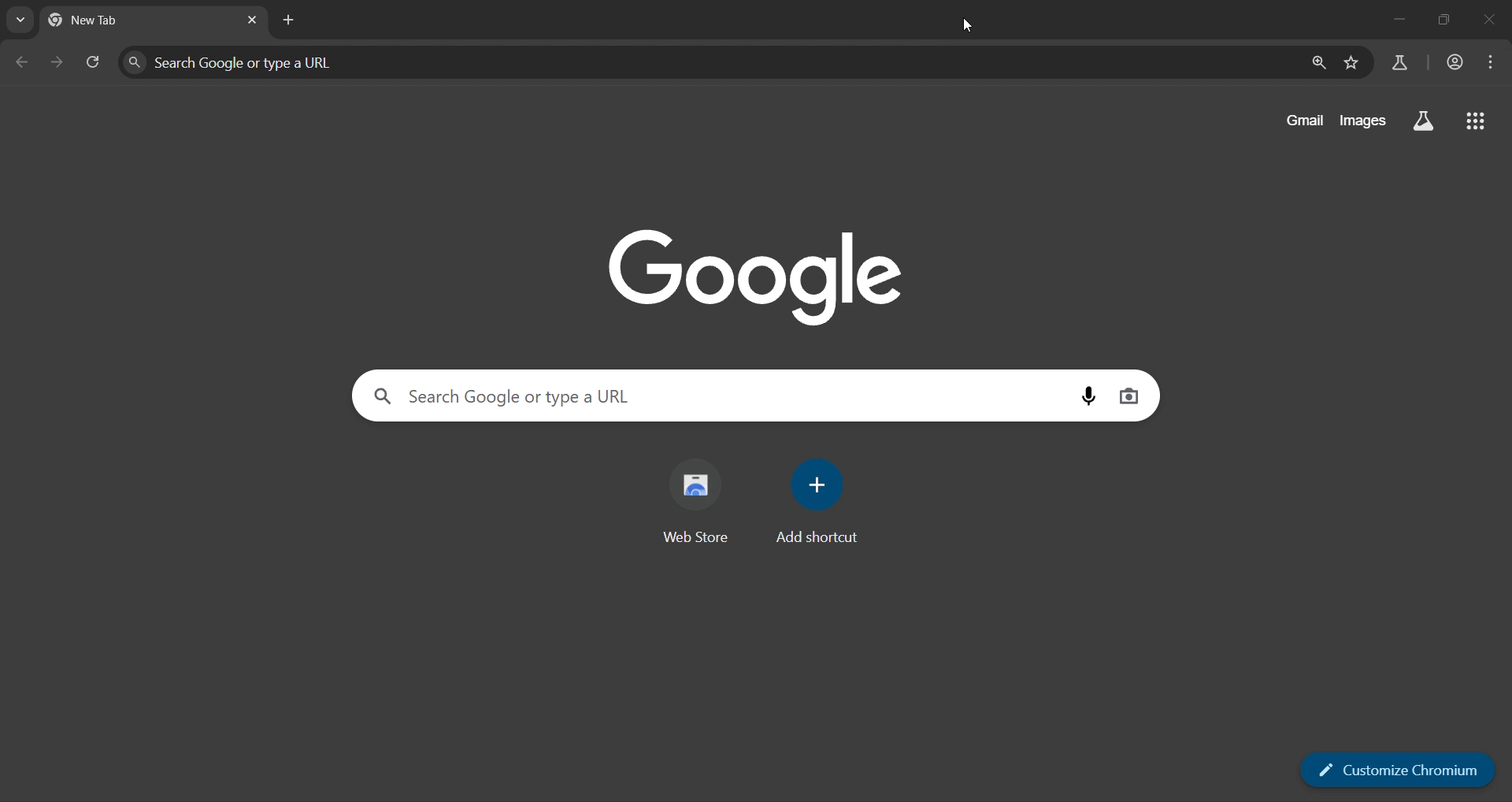 This screenshot has height=802, width=1512. I want to click on close, so click(1491, 19).